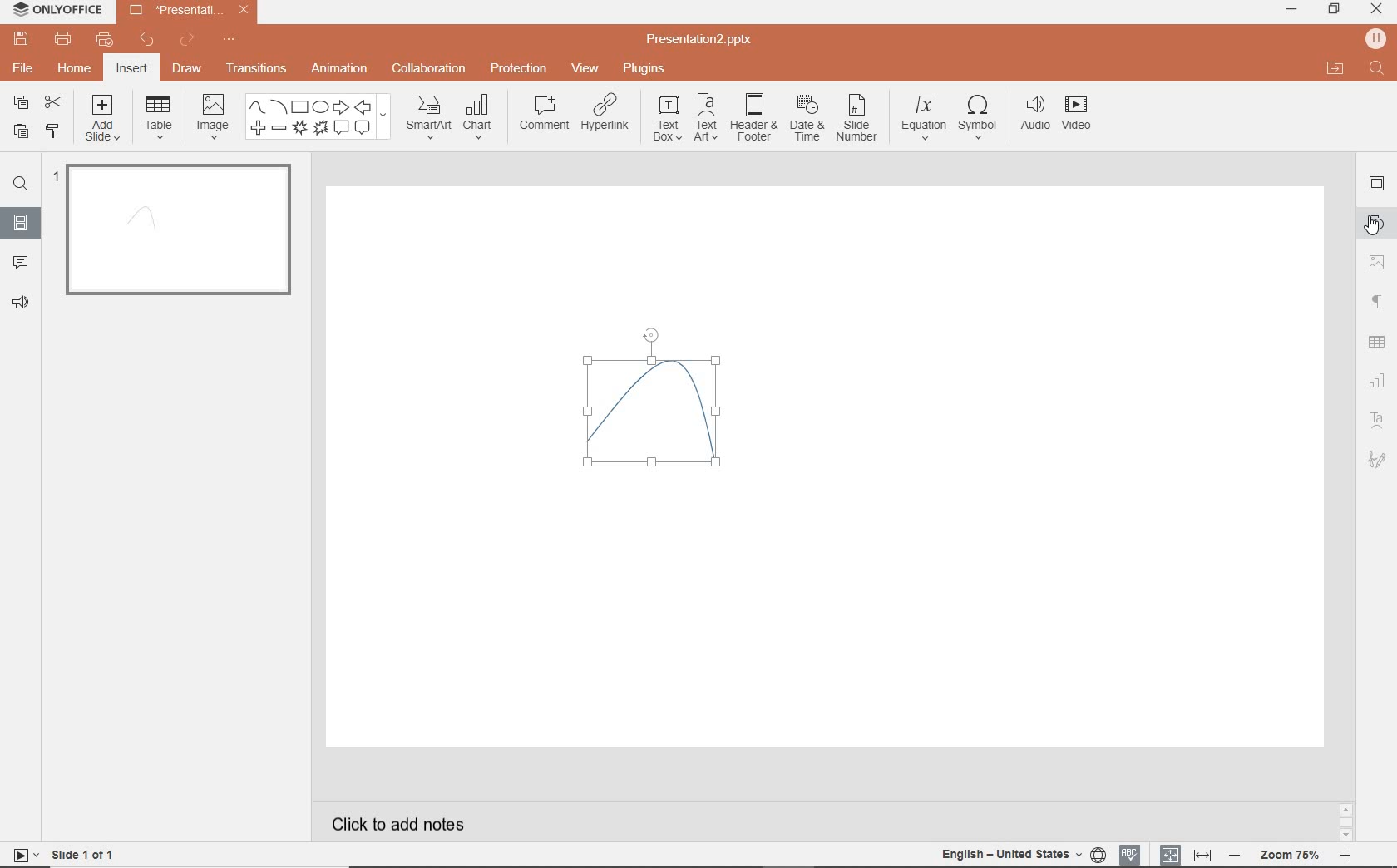 The image size is (1397, 868). Describe the element at coordinates (857, 122) in the screenshot. I see `SLIDE NUMBER` at that location.